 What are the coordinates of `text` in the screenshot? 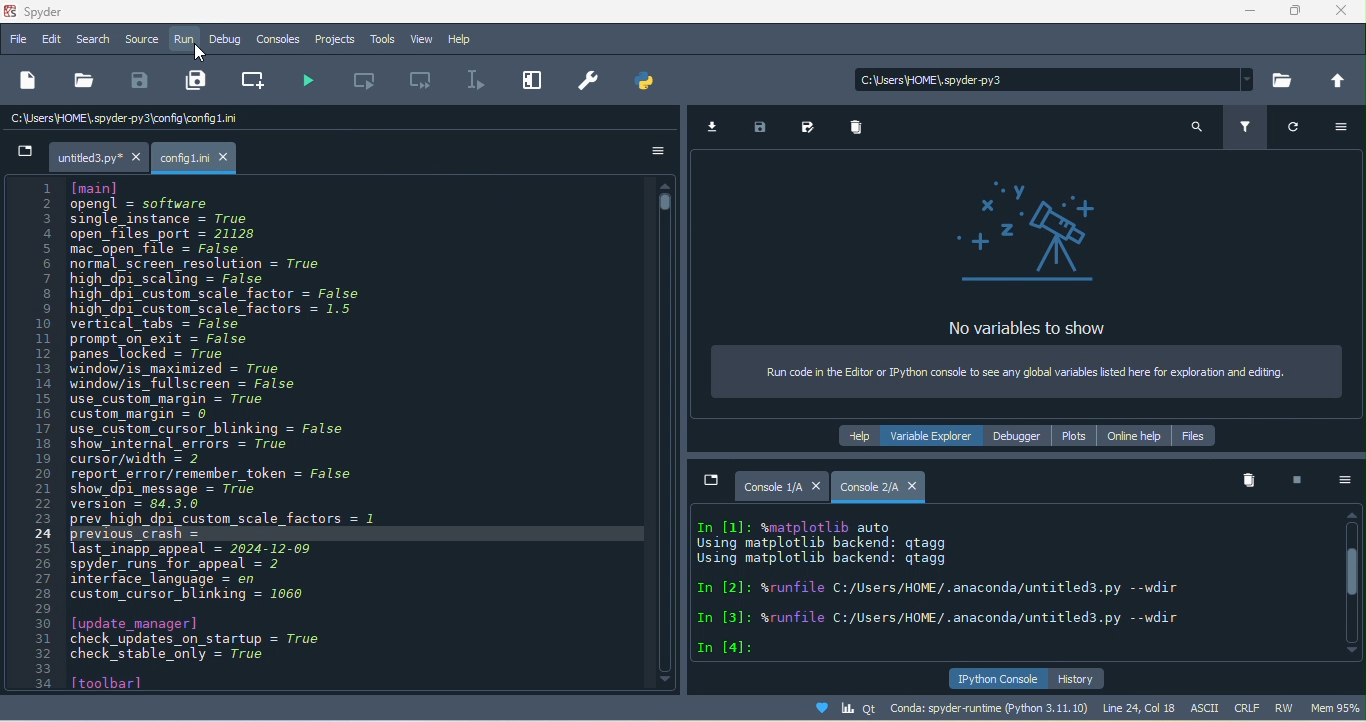 It's located at (954, 586).